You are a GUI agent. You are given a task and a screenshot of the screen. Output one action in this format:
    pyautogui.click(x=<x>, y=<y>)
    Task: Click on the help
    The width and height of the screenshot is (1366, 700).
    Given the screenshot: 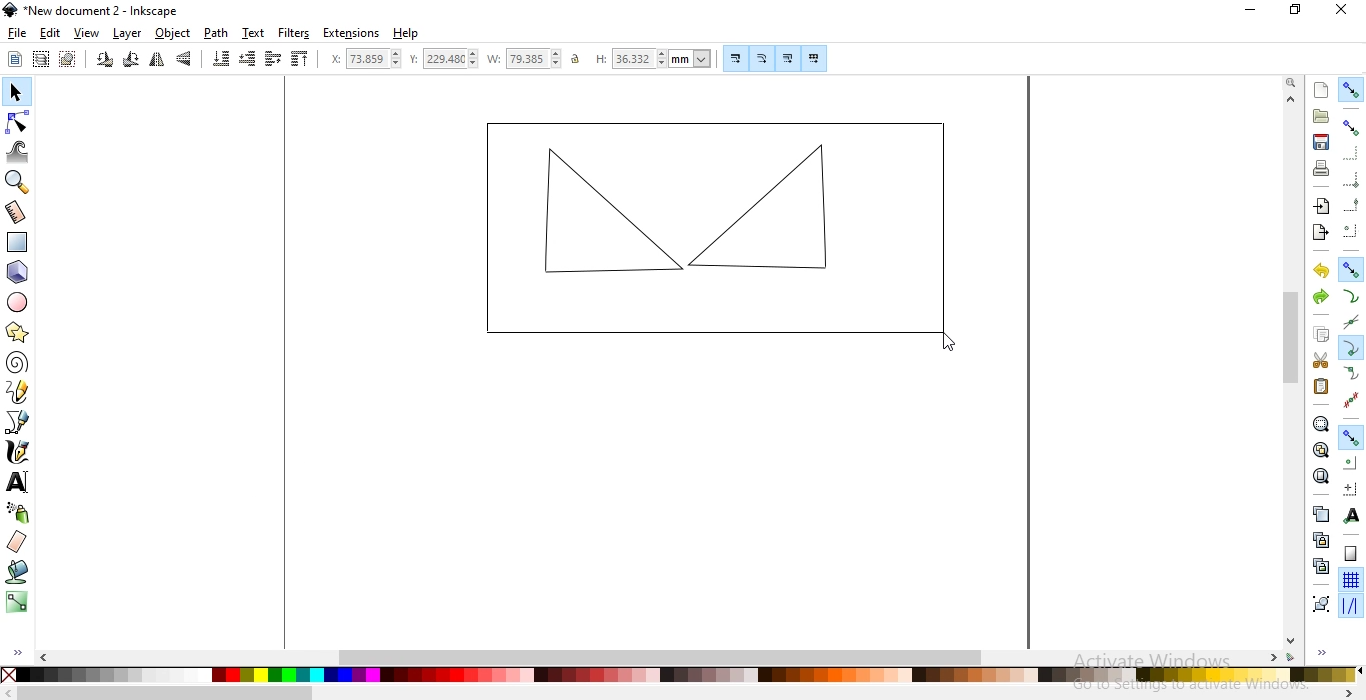 What is the action you would take?
    pyautogui.click(x=406, y=34)
    